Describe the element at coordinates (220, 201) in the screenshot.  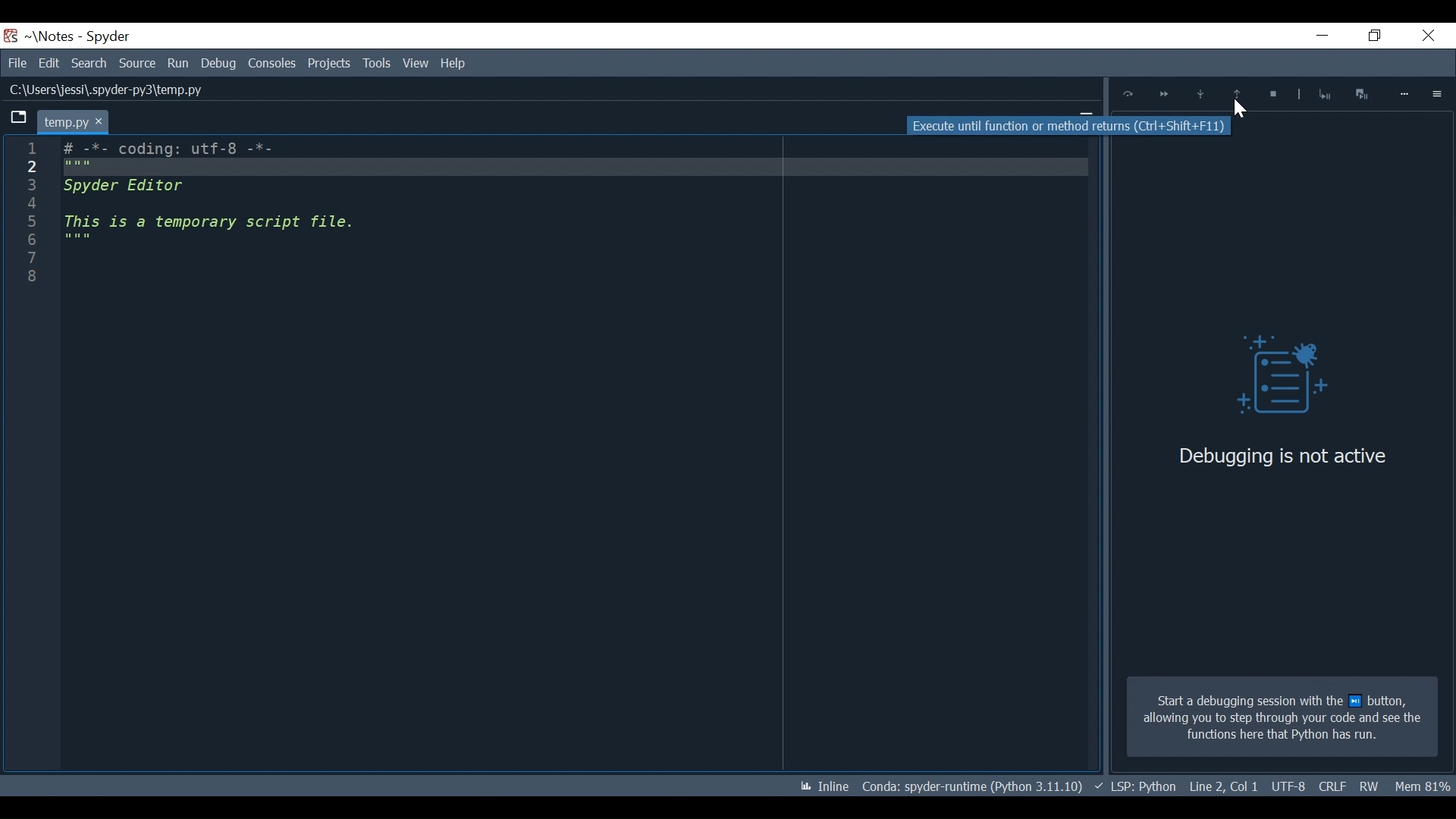
I see `Editor` at that location.